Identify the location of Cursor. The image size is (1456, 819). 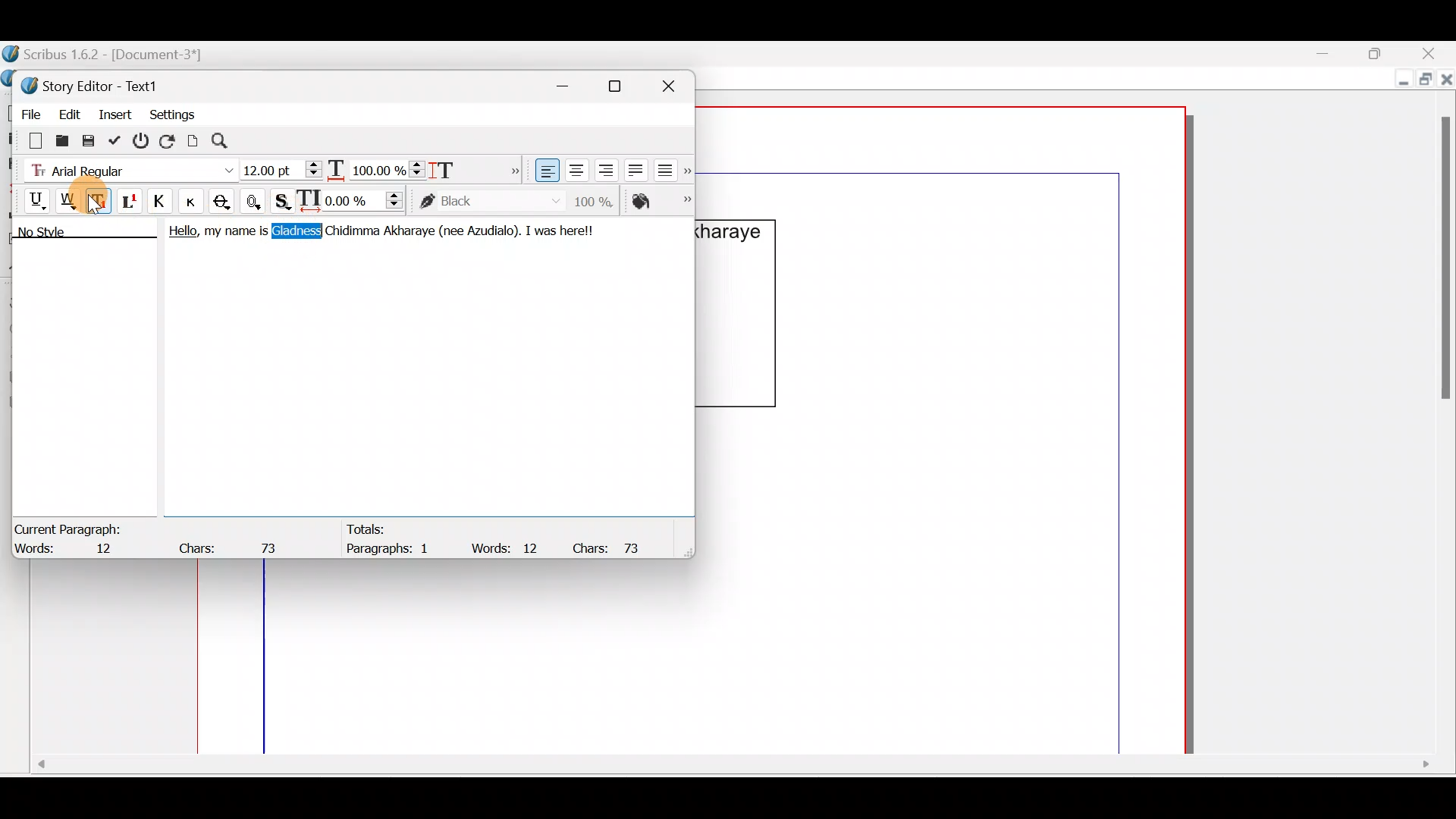
(97, 202).